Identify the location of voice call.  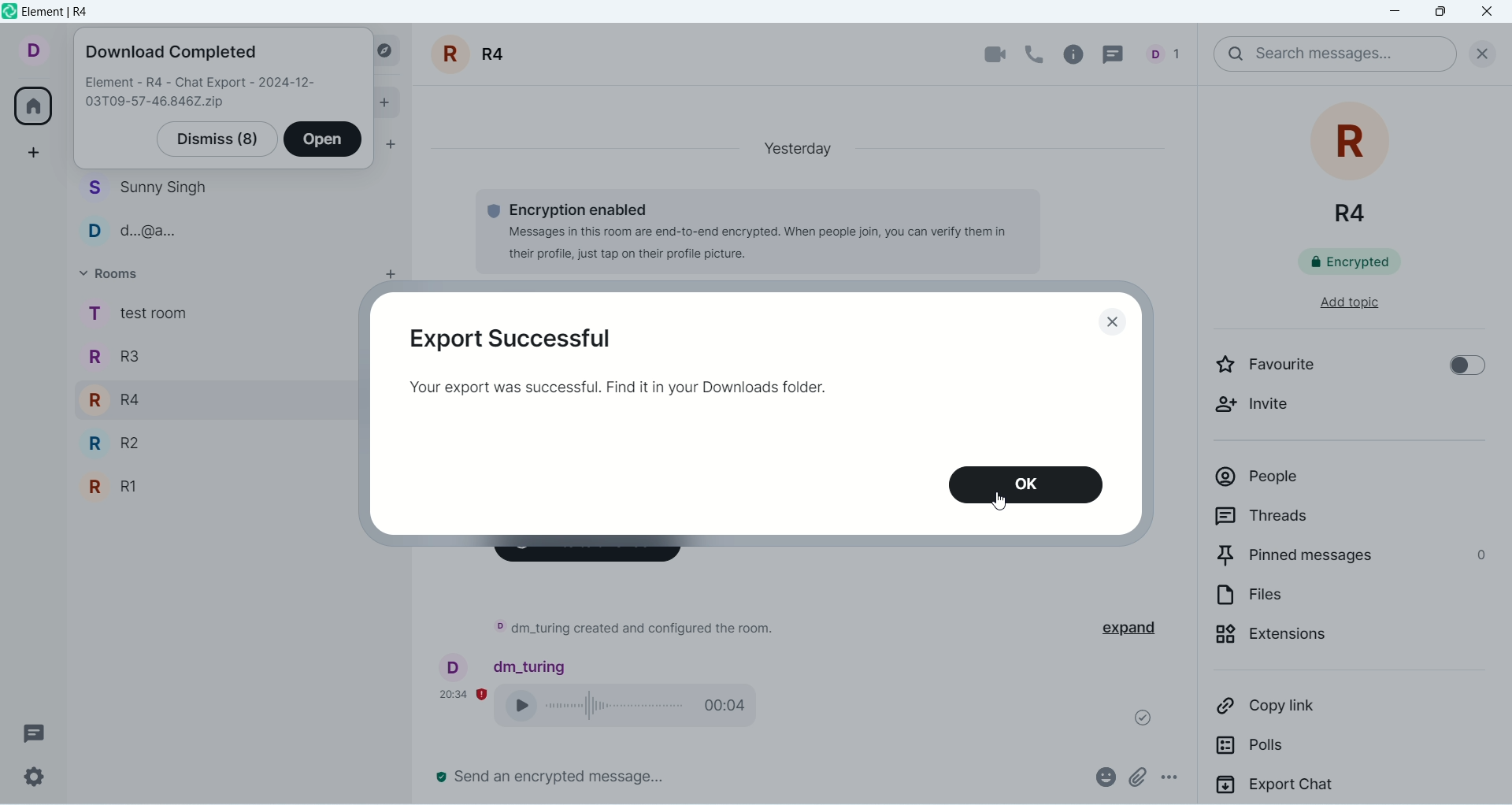
(636, 708).